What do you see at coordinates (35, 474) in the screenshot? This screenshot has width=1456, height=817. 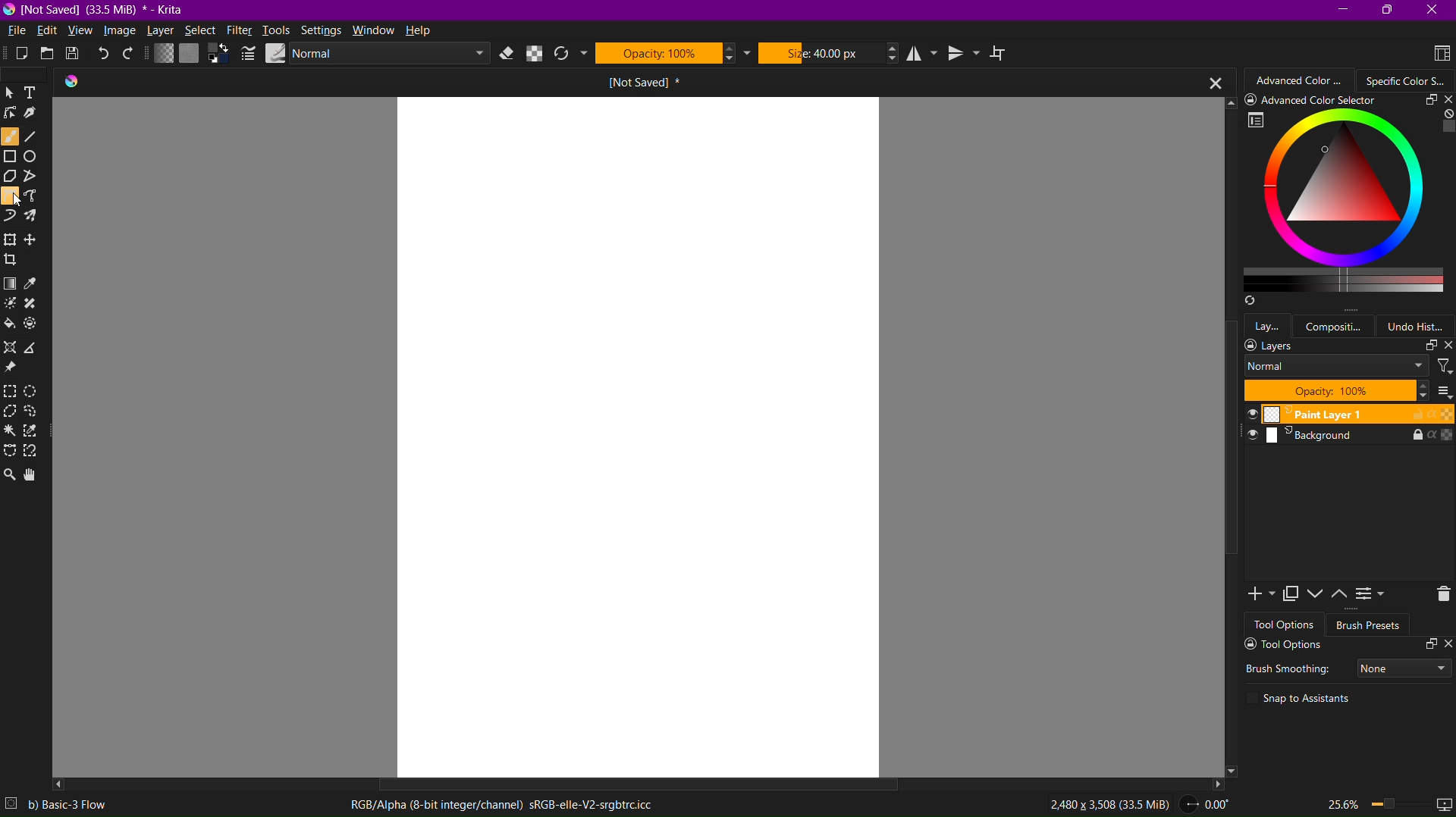 I see `Pan Tool` at bounding box center [35, 474].